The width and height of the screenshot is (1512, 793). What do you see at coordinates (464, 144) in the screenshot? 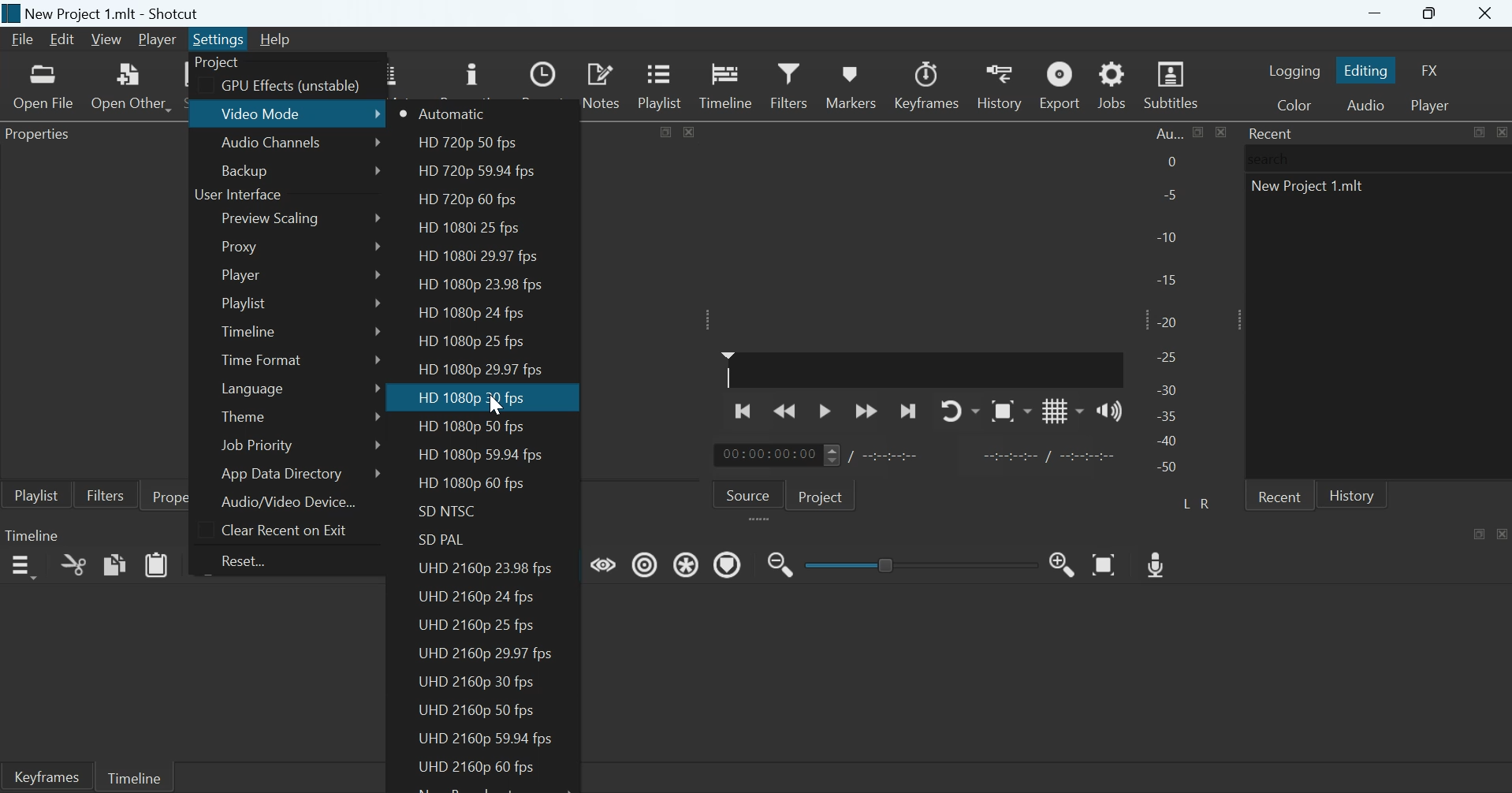
I see `HD 720p 50 fps` at bounding box center [464, 144].